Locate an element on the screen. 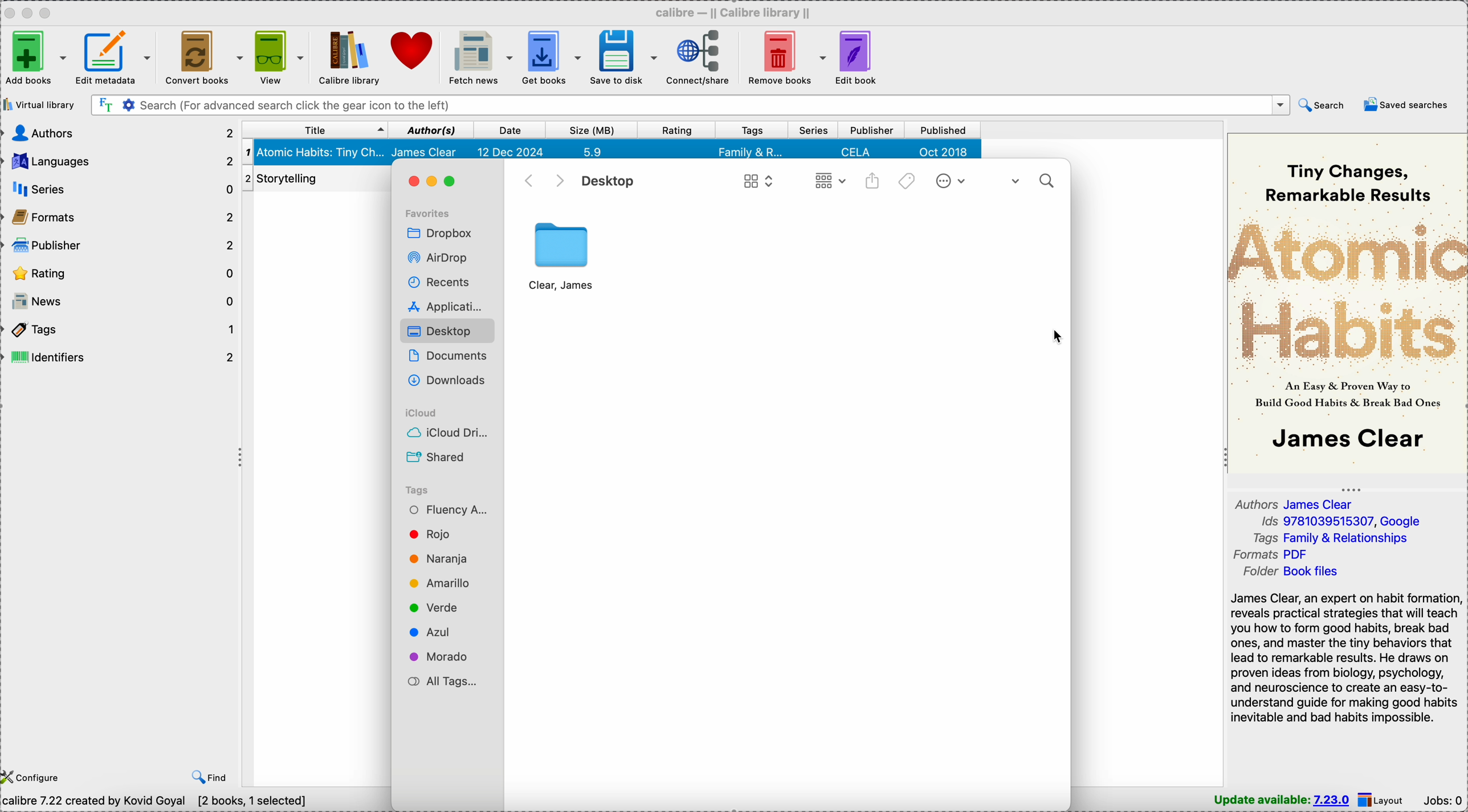 The width and height of the screenshot is (1468, 812). more options is located at coordinates (948, 181).